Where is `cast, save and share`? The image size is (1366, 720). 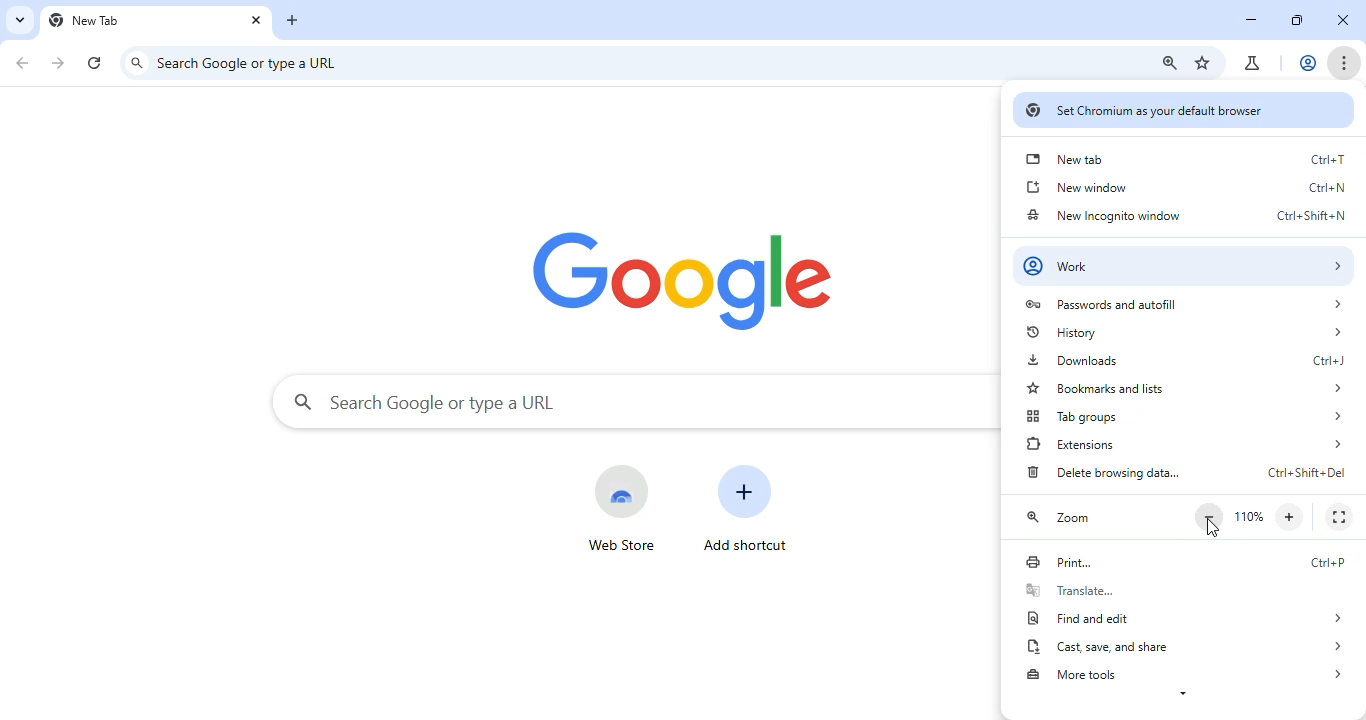 cast, save and share is located at coordinates (1187, 646).